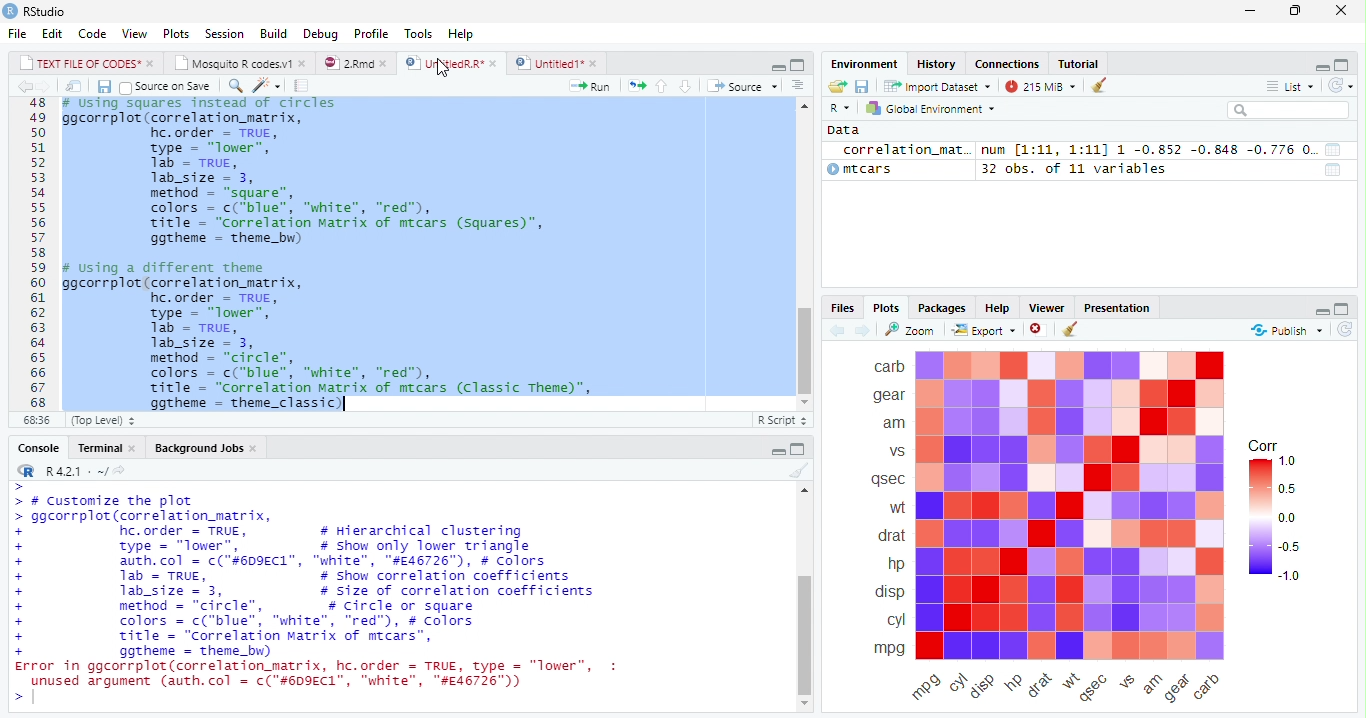 The height and width of the screenshot is (718, 1366). Describe the element at coordinates (452, 63) in the screenshot. I see ` UntitiedR` at that location.